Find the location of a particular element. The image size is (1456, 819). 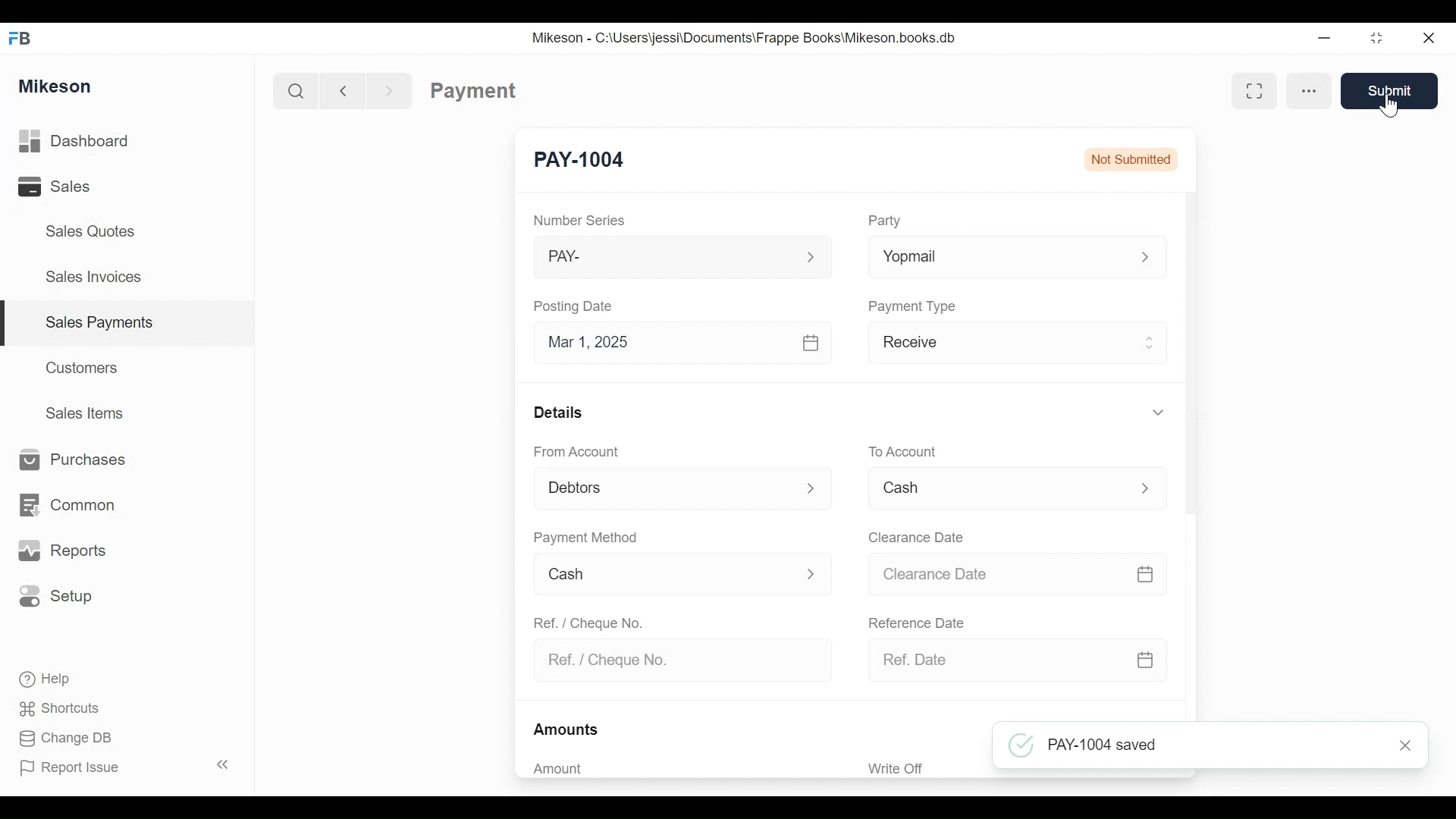

Maximize is located at coordinates (1374, 40).